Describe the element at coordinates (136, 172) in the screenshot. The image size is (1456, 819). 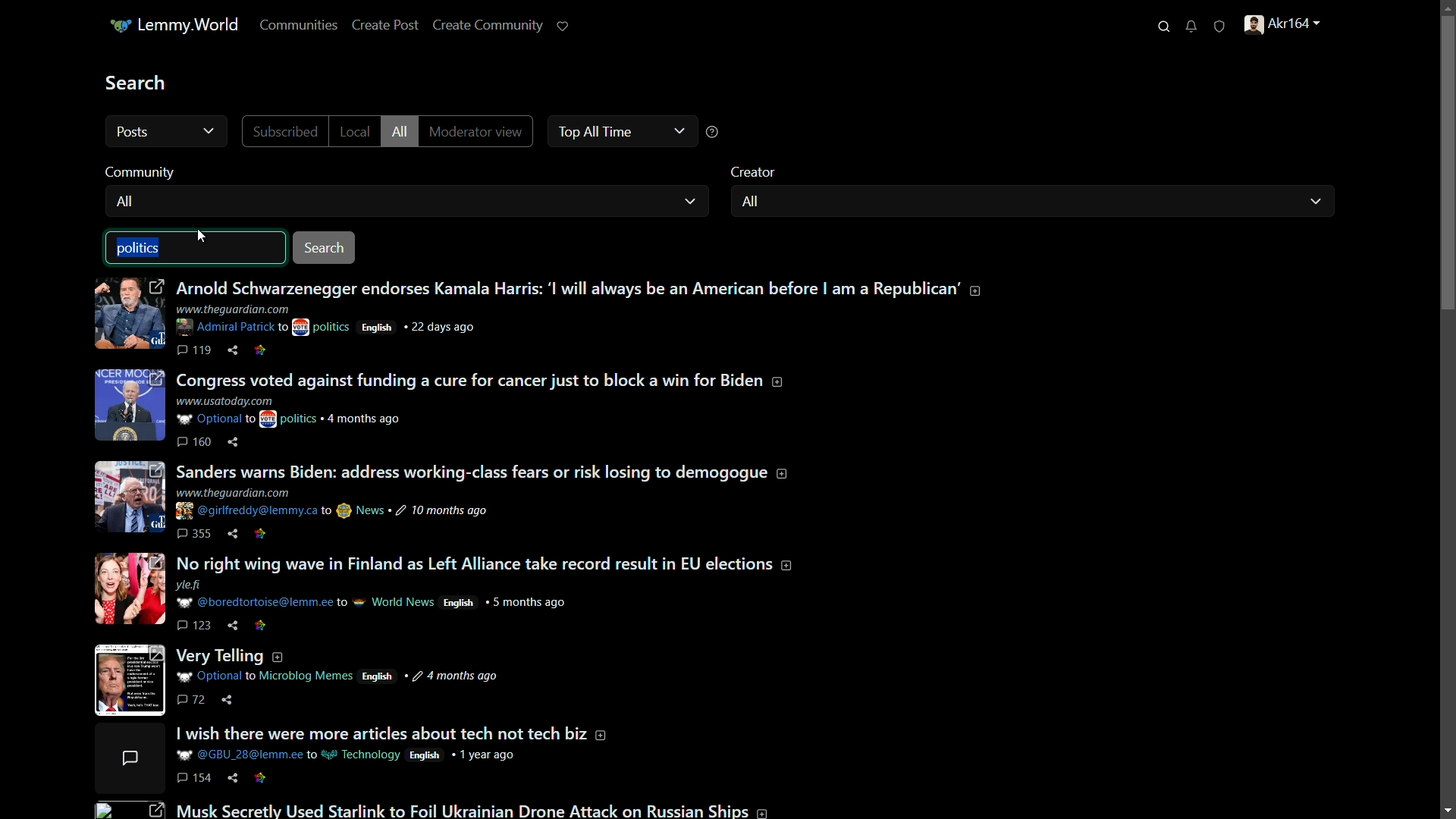
I see `community` at that location.